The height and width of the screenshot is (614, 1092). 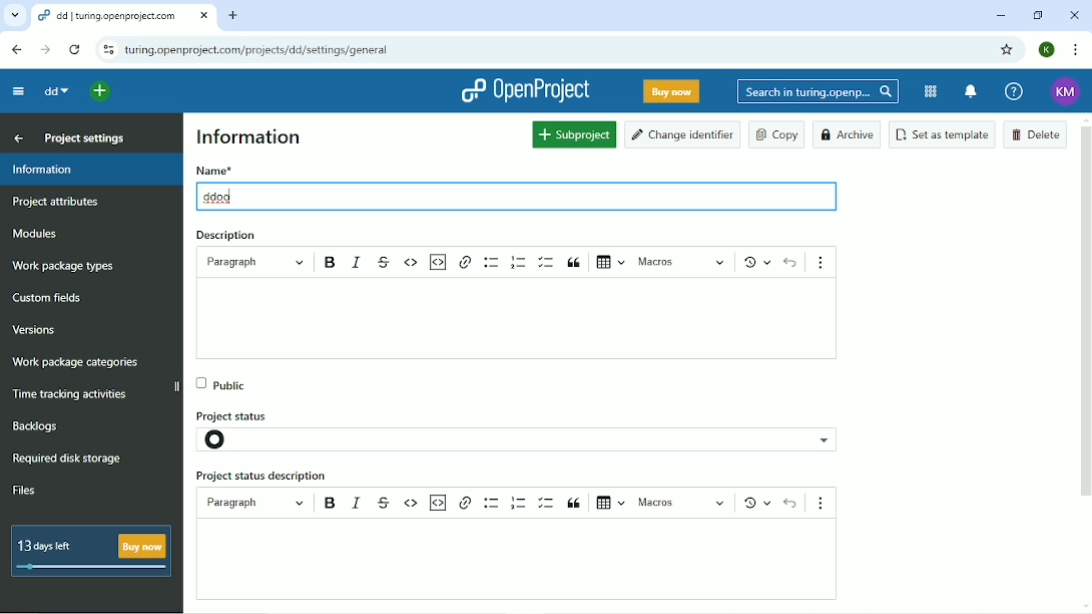 I want to click on Work package types, so click(x=64, y=266).